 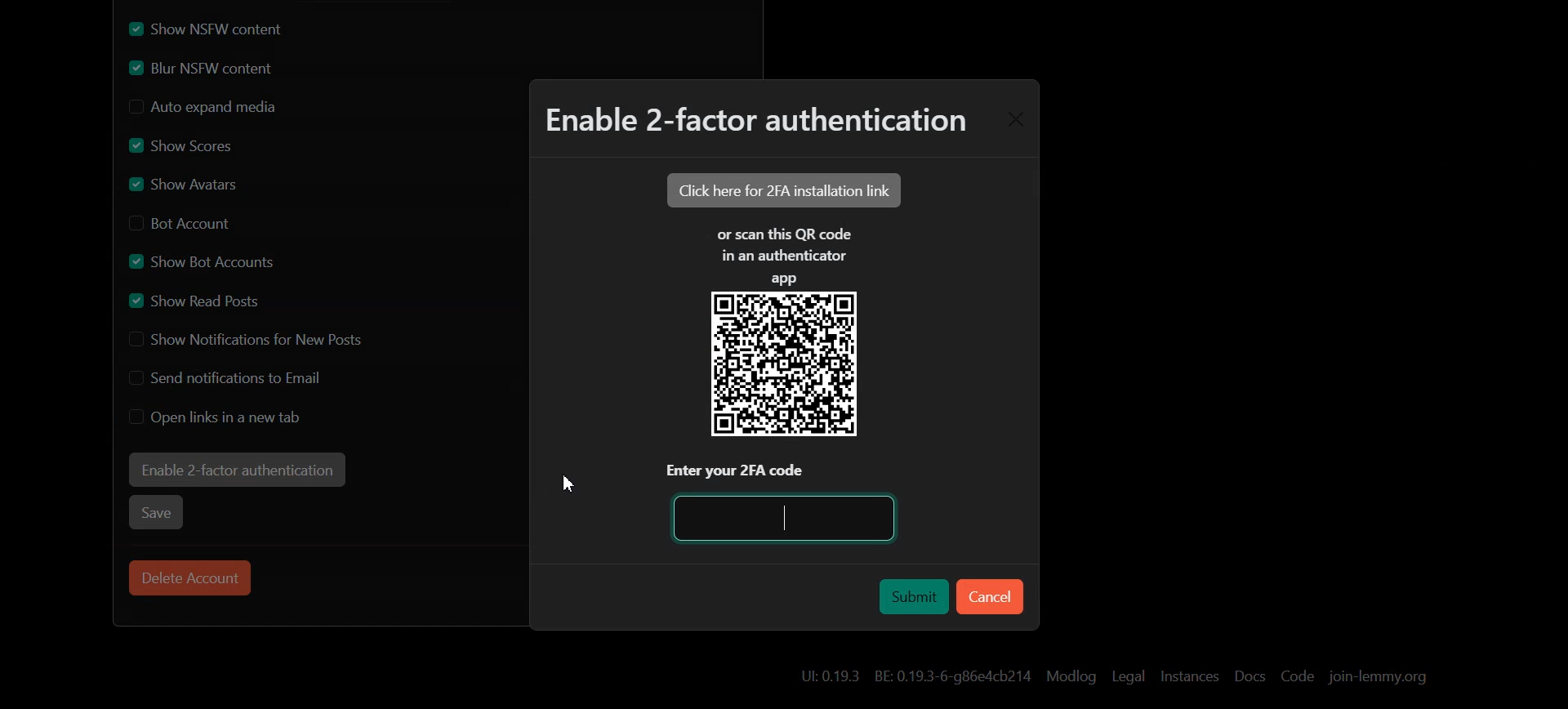 What do you see at coordinates (158, 511) in the screenshot?
I see `Save` at bounding box center [158, 511].